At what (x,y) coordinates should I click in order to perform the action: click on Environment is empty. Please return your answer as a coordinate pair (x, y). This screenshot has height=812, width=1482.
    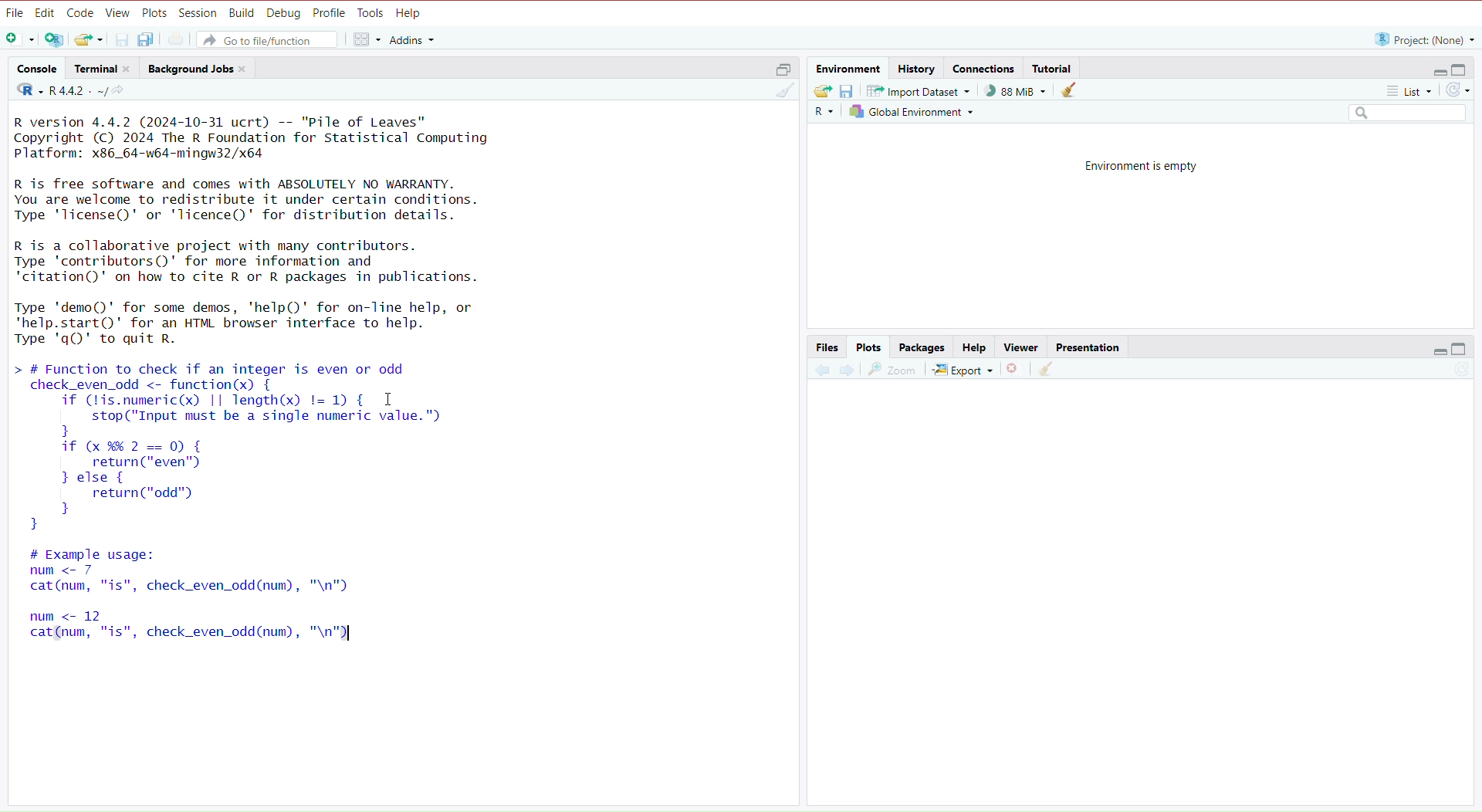
    Looking at the image, I should click on (1143, 165).